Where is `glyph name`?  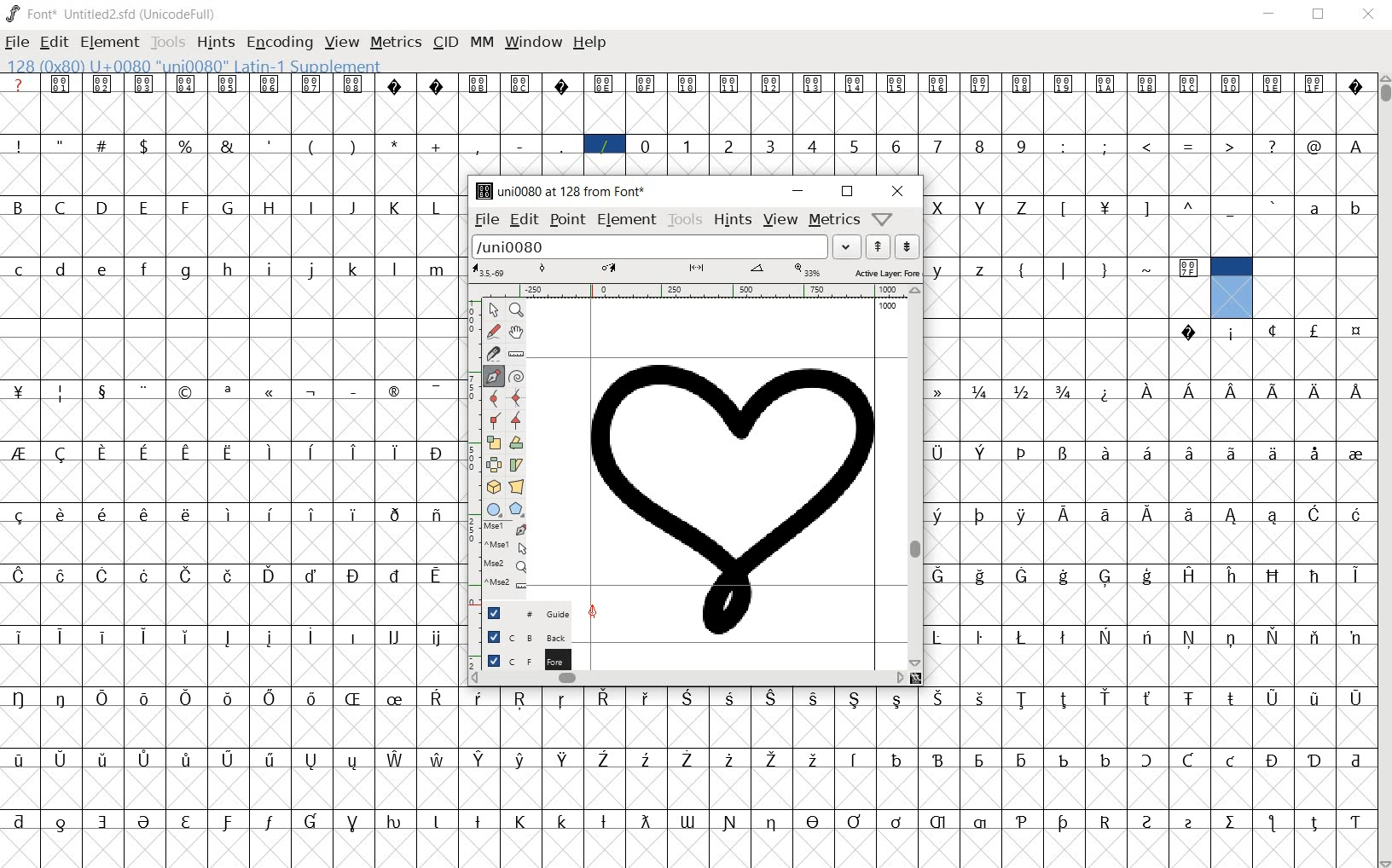 glyph name is located at coordinates (555, 191).